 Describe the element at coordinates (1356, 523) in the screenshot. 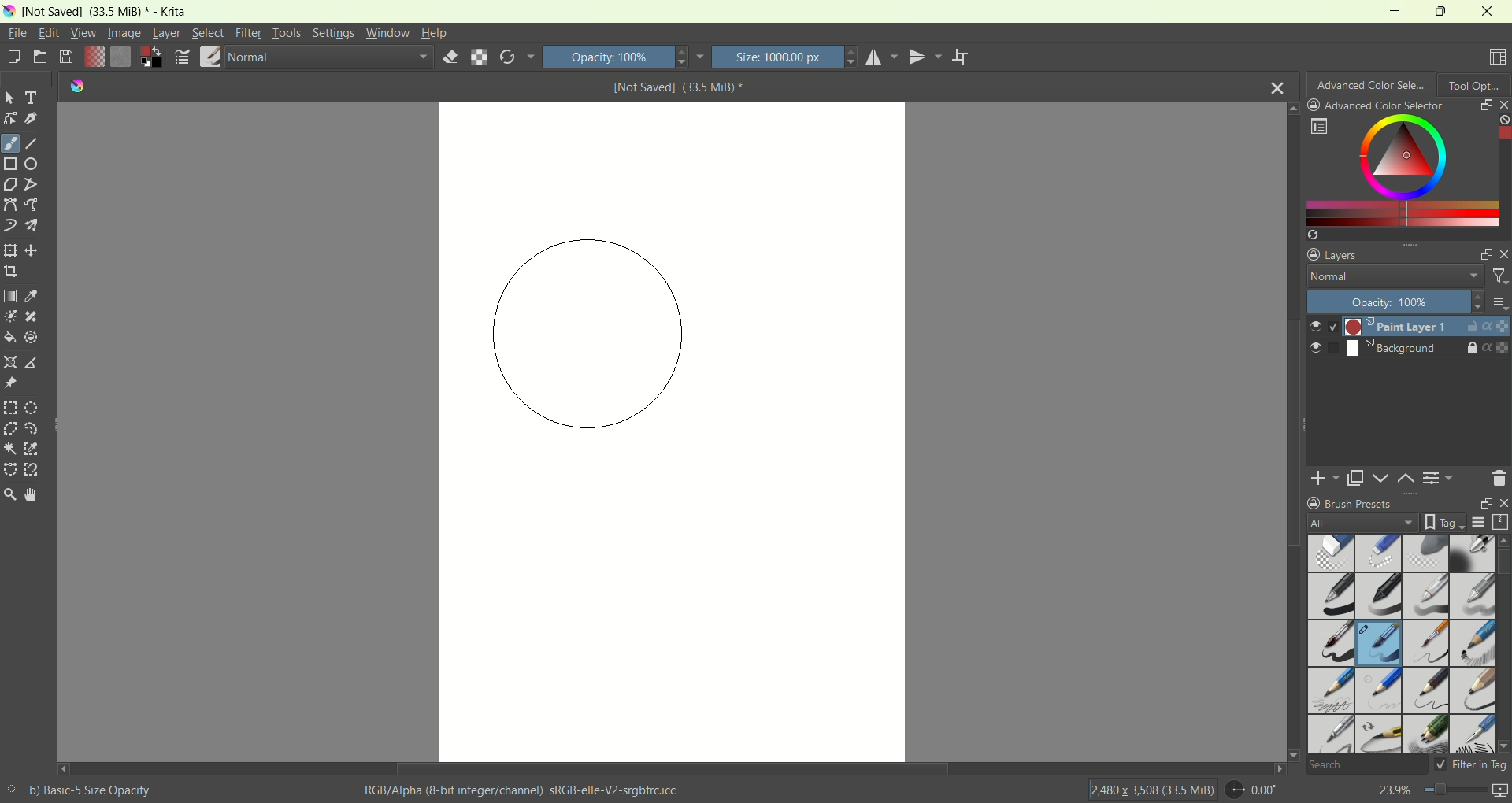

I see `all` at that location.